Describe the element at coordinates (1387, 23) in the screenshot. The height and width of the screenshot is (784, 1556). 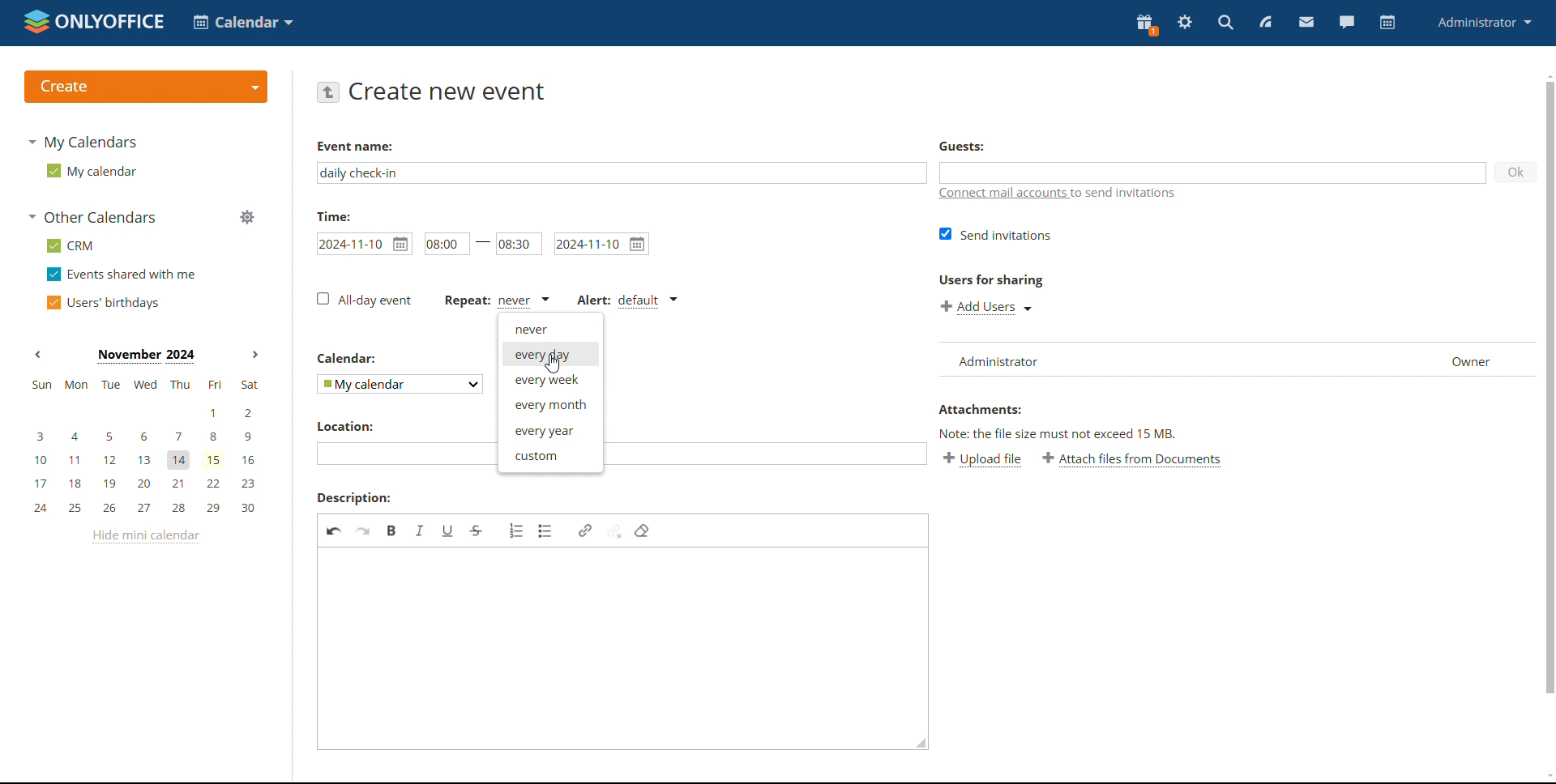
I see `calendar` at that location.